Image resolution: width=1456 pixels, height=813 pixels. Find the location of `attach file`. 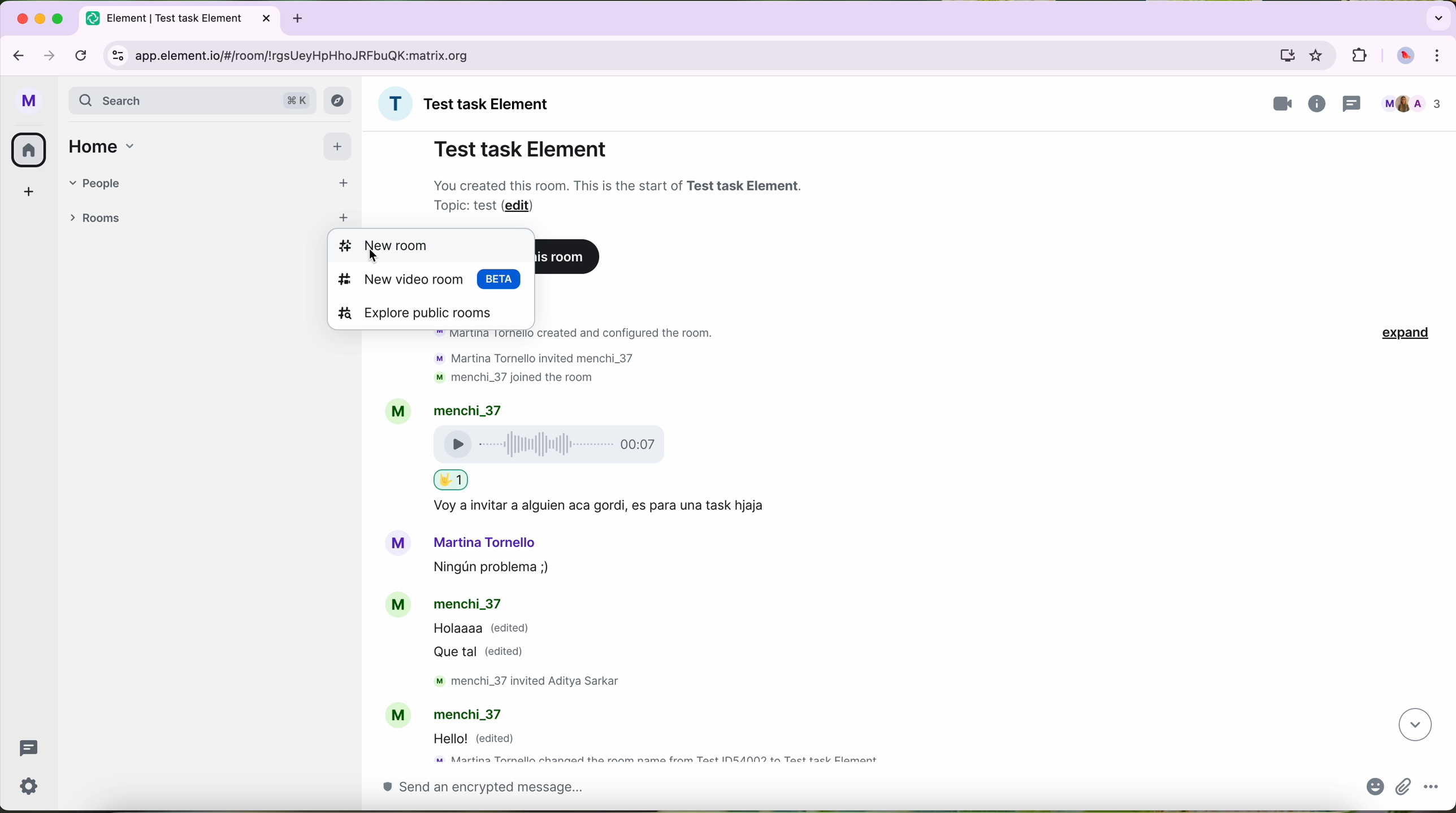

attach file is located at coordinates (1404, 788).